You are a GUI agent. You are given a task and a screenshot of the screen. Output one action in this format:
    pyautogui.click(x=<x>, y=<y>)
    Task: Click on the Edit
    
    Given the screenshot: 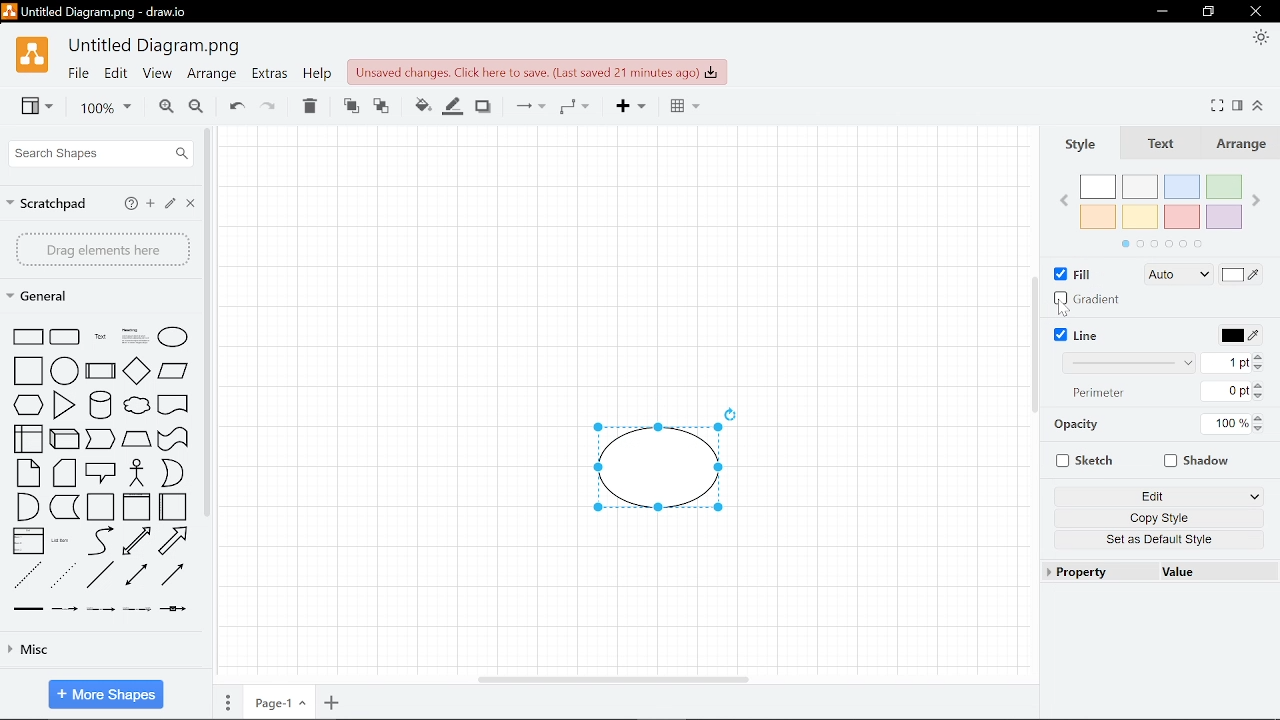 What is the action you would take?
    pyautogui.click(x=1158, y=496)
    